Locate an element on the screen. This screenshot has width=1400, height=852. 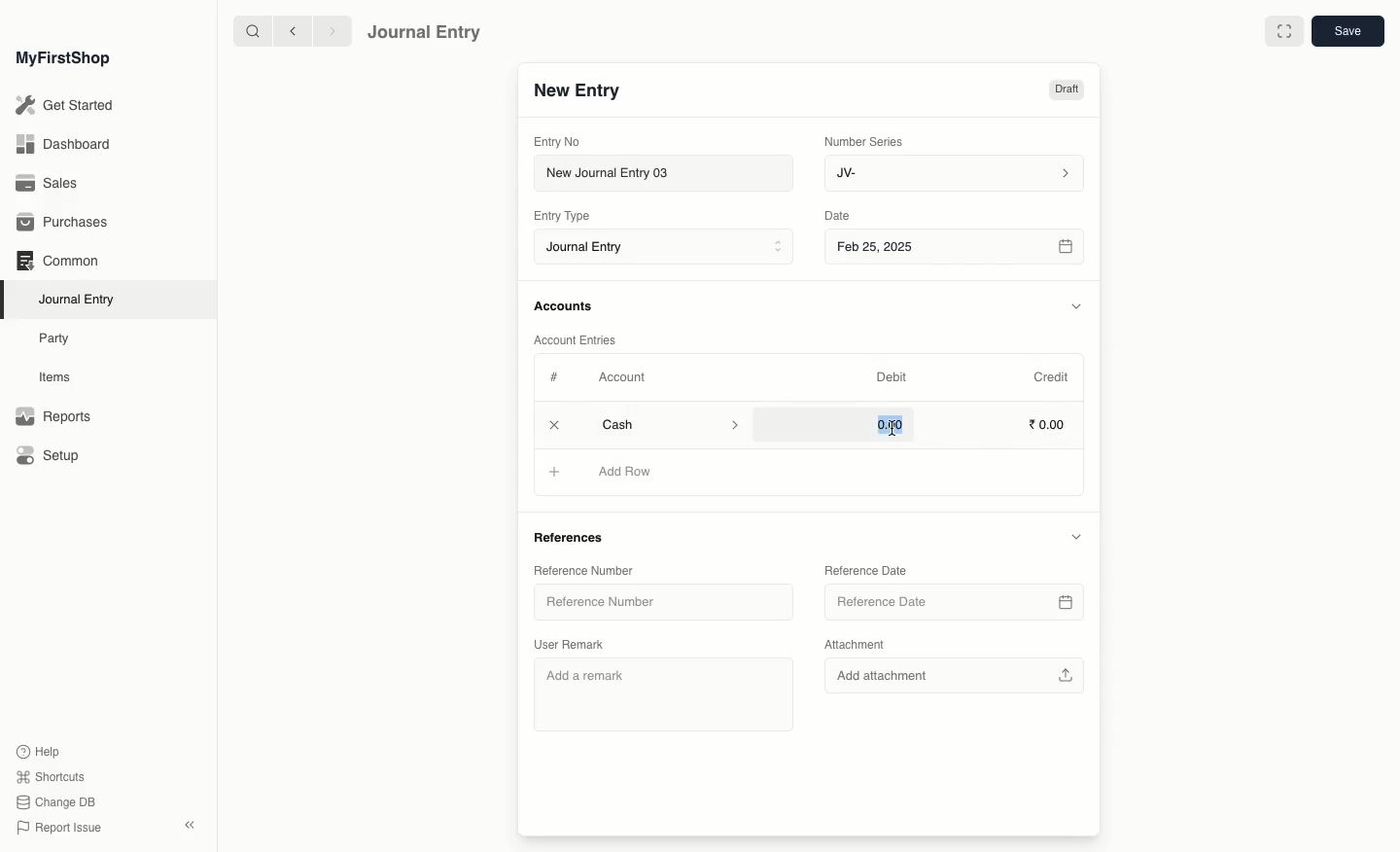
Collapse is located at coordinates (190, 825).